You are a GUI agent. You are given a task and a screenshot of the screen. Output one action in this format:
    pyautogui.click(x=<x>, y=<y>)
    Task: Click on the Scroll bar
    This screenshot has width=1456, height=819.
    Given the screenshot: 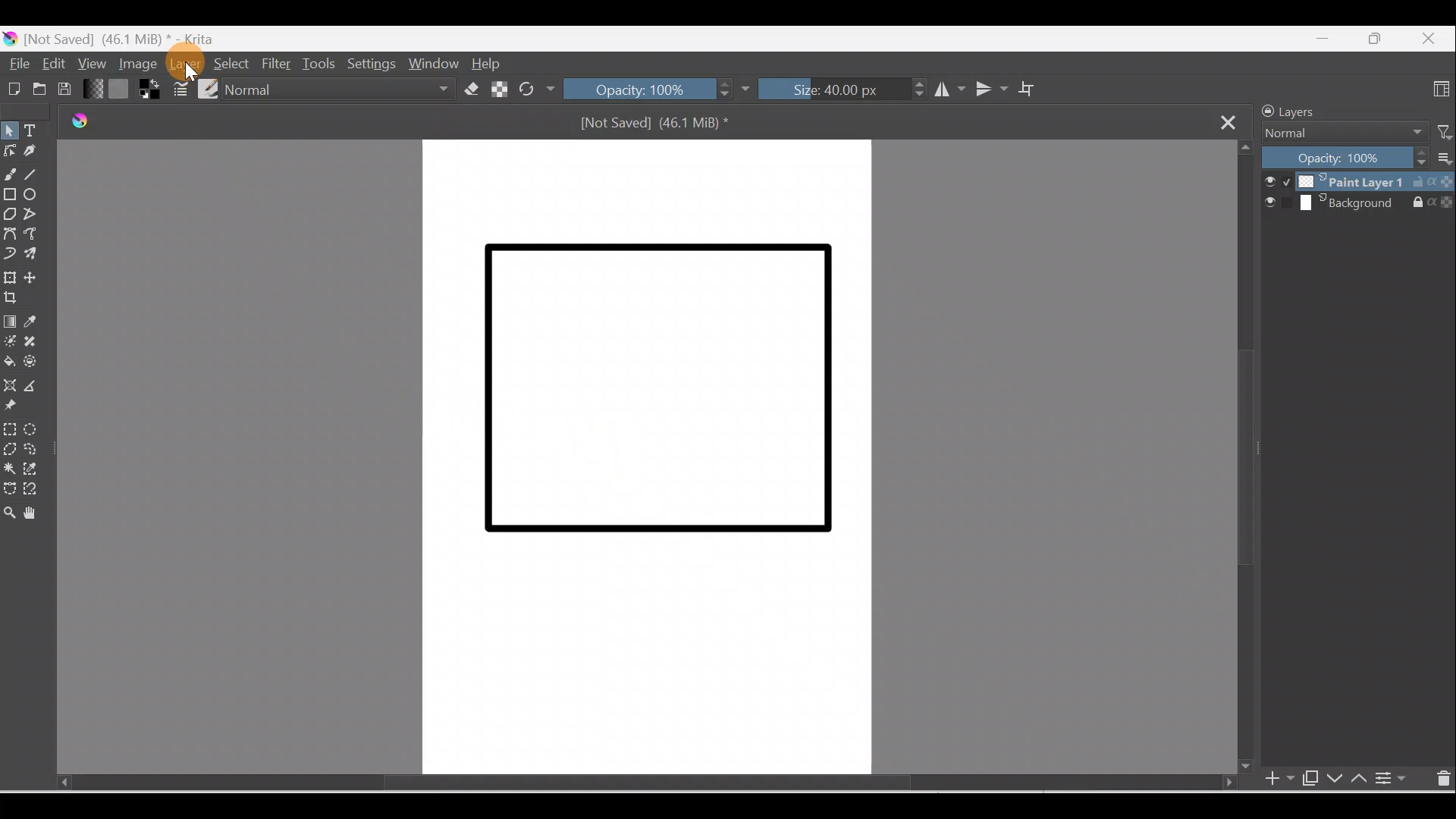 What is the action you would take?
    pyautogui.click(x=621, y=783)
    